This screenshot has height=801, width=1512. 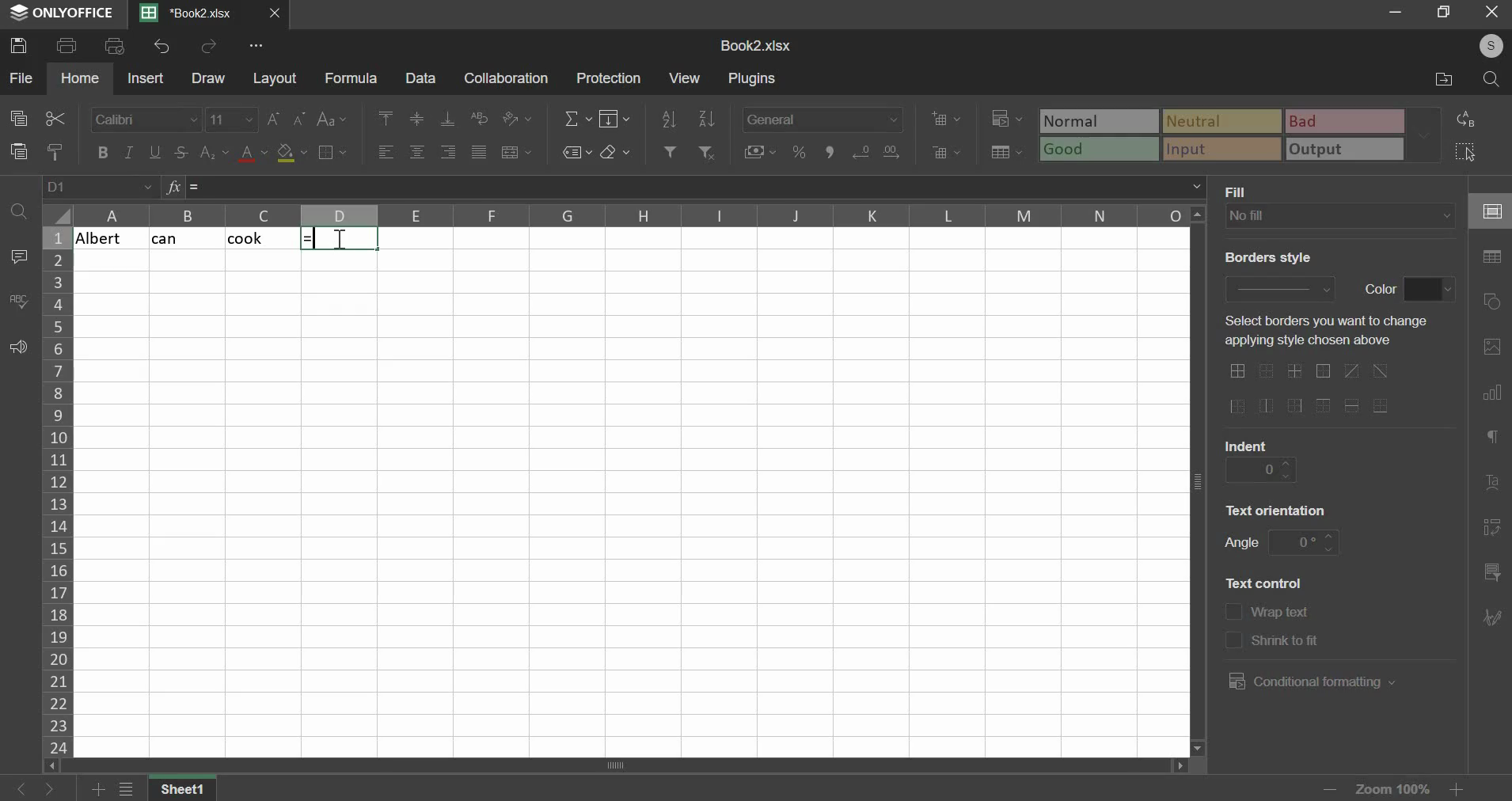 What do you see at coordinates (517, 118) in the screenshot?
I see `orientation` at bounding box center [517, 118].